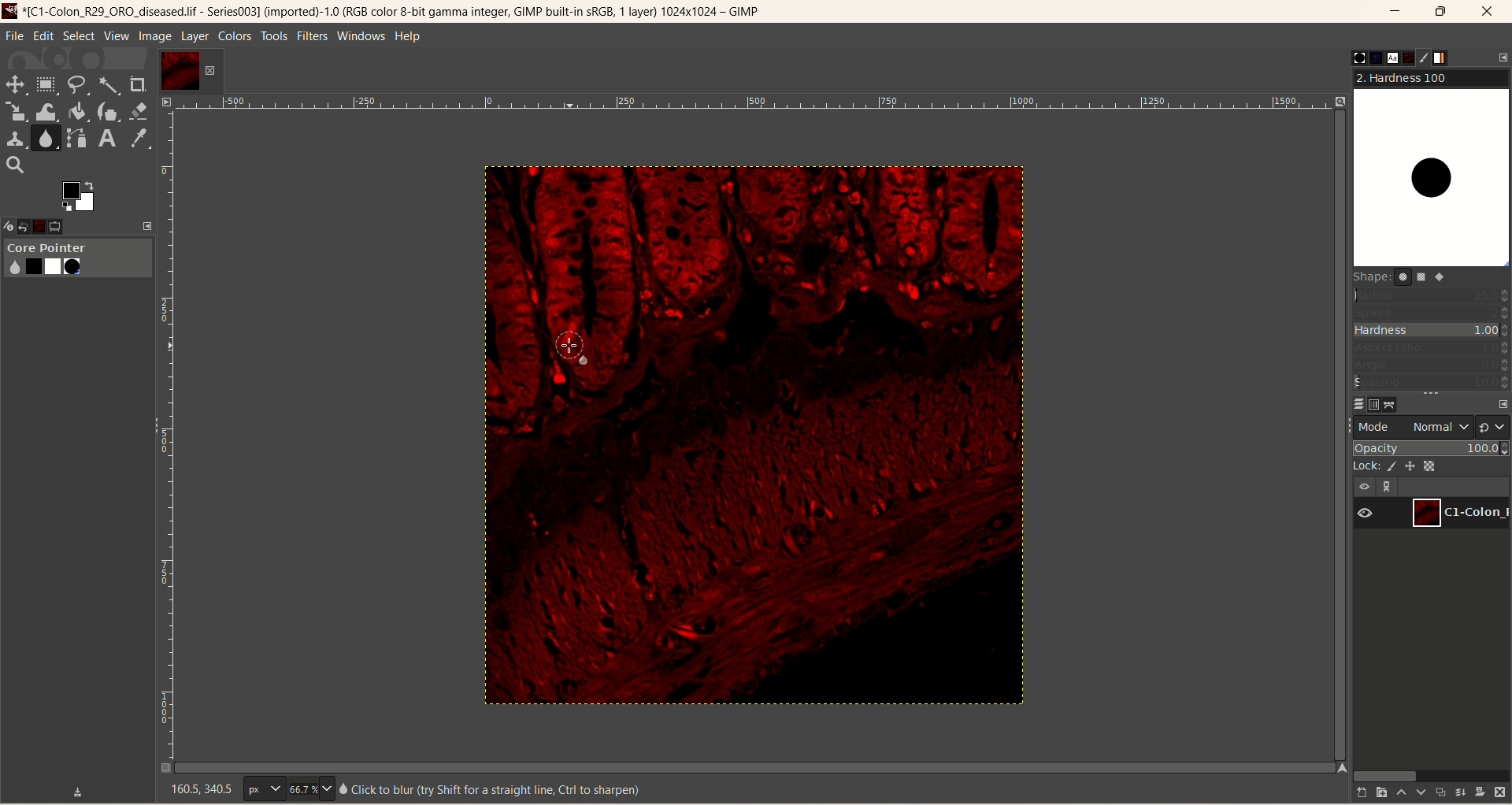 The image size is (1512, 805). I want to click on path tool, so click(78, 138).